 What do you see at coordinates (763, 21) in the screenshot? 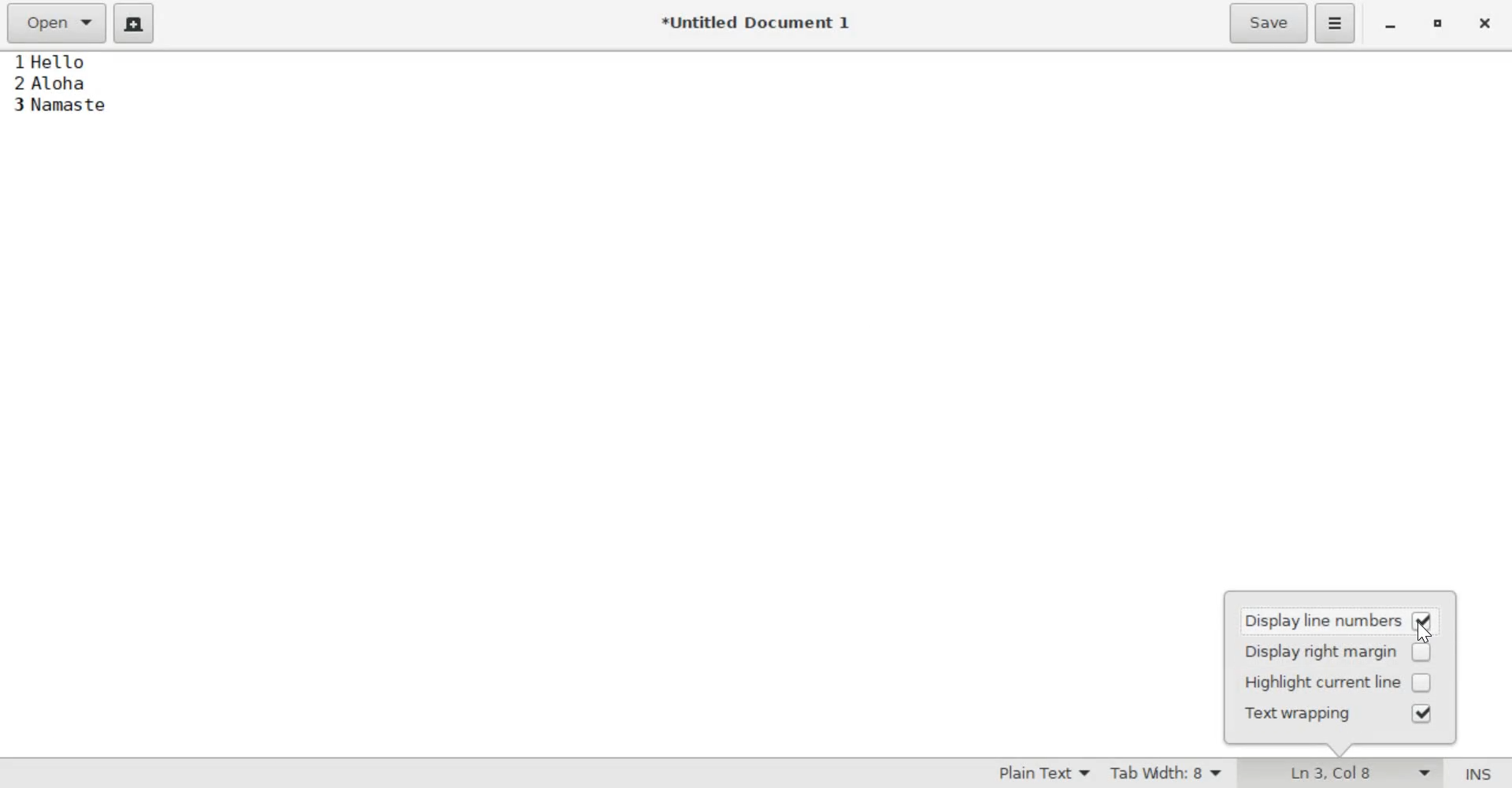
I see `*Untitled Document 1` at bounding box center [763, 21].